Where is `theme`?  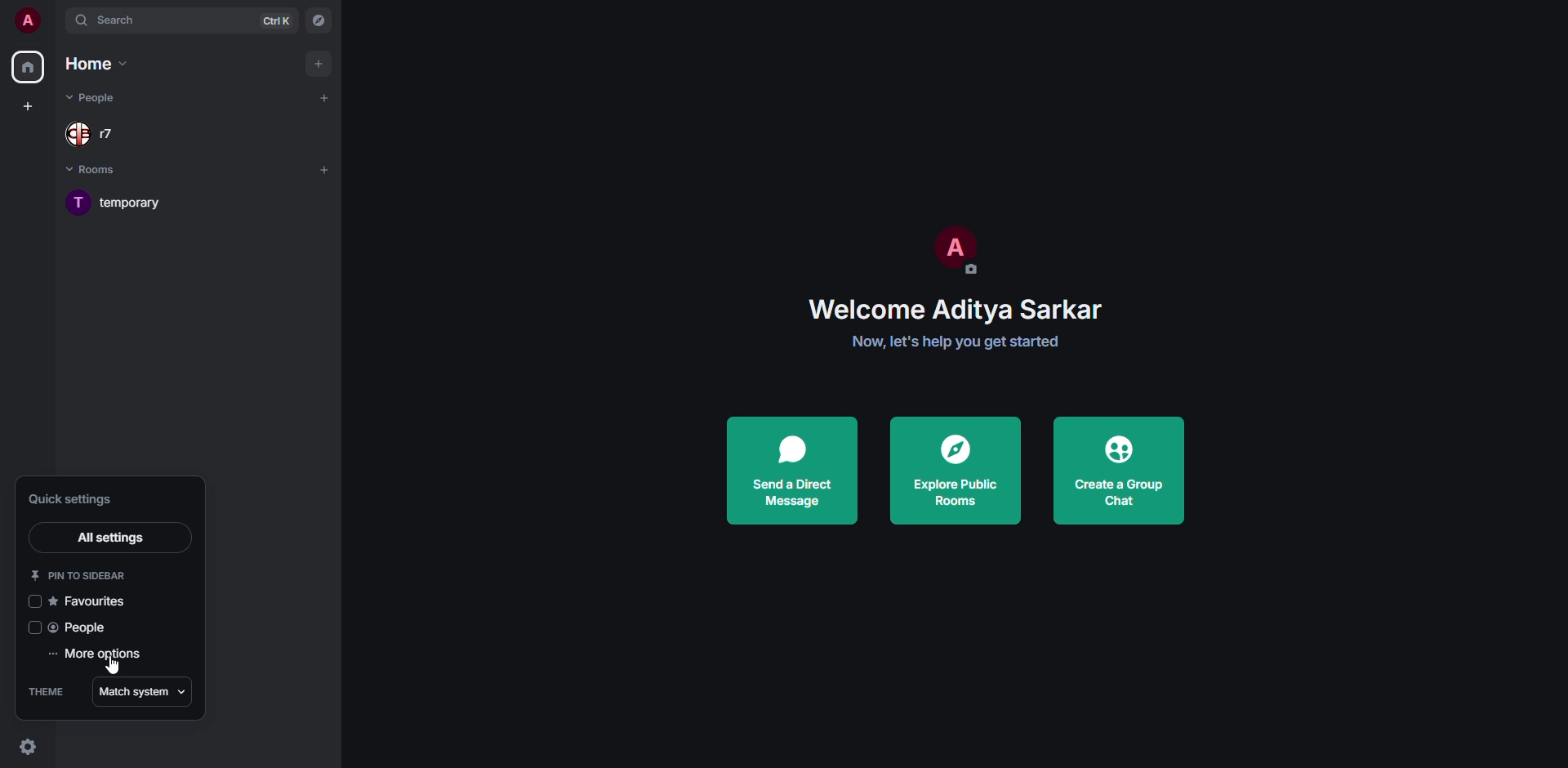 theme is located at coordinates (47, 690).